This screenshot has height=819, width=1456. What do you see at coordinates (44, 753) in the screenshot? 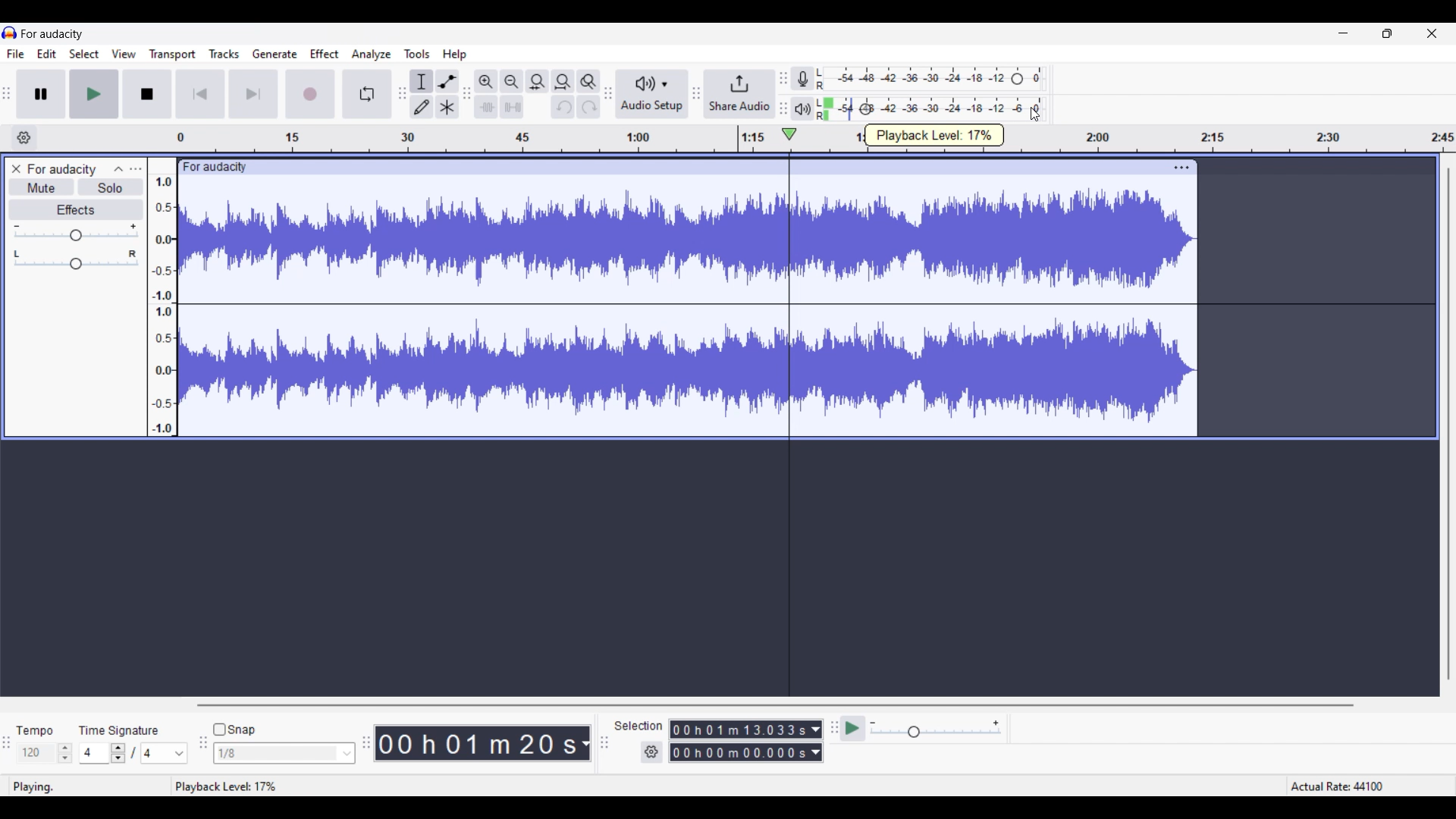
I see `Tempo settings` at bounding box center [44, 753].